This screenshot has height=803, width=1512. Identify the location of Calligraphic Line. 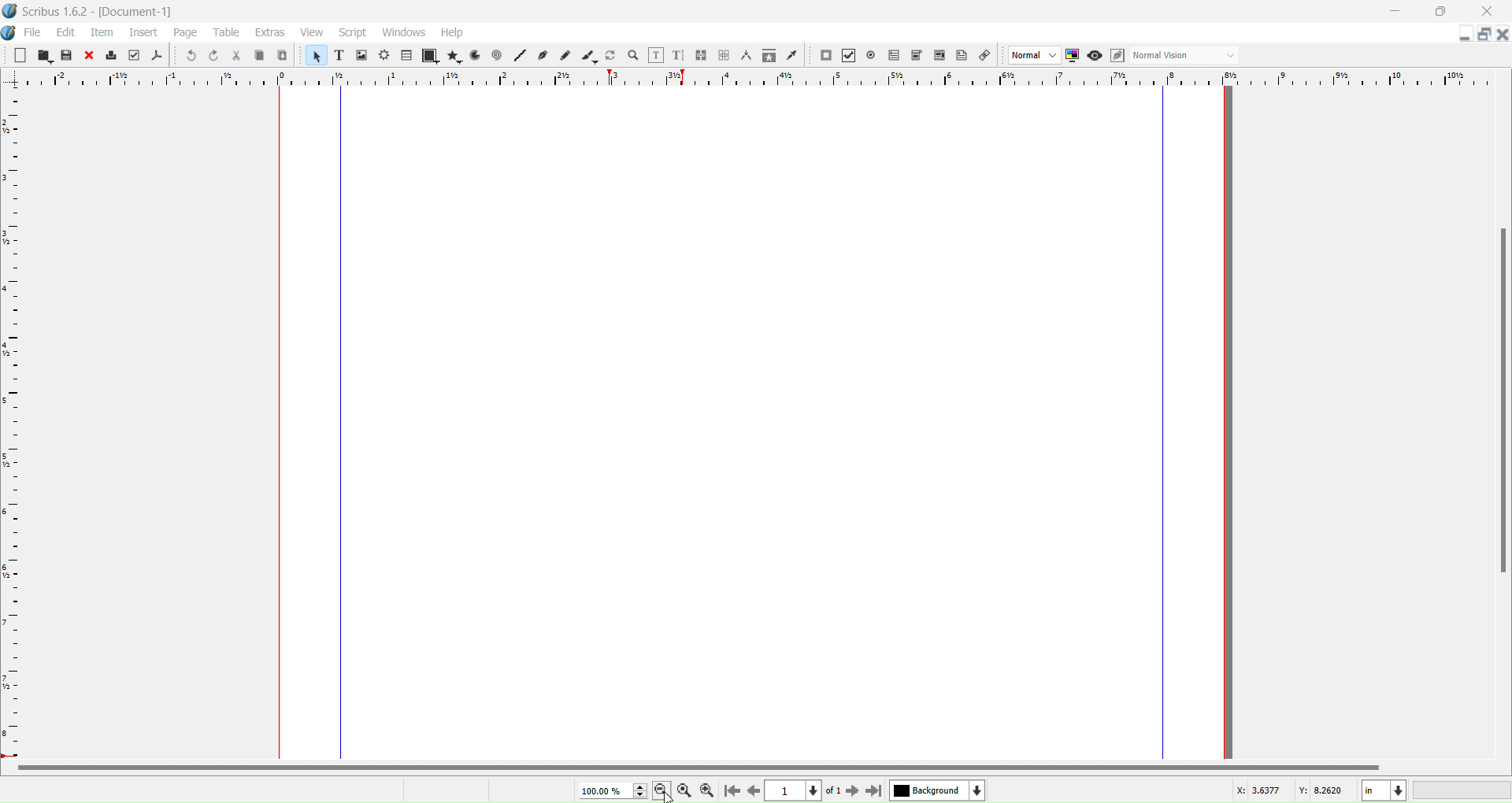
(589, 57).